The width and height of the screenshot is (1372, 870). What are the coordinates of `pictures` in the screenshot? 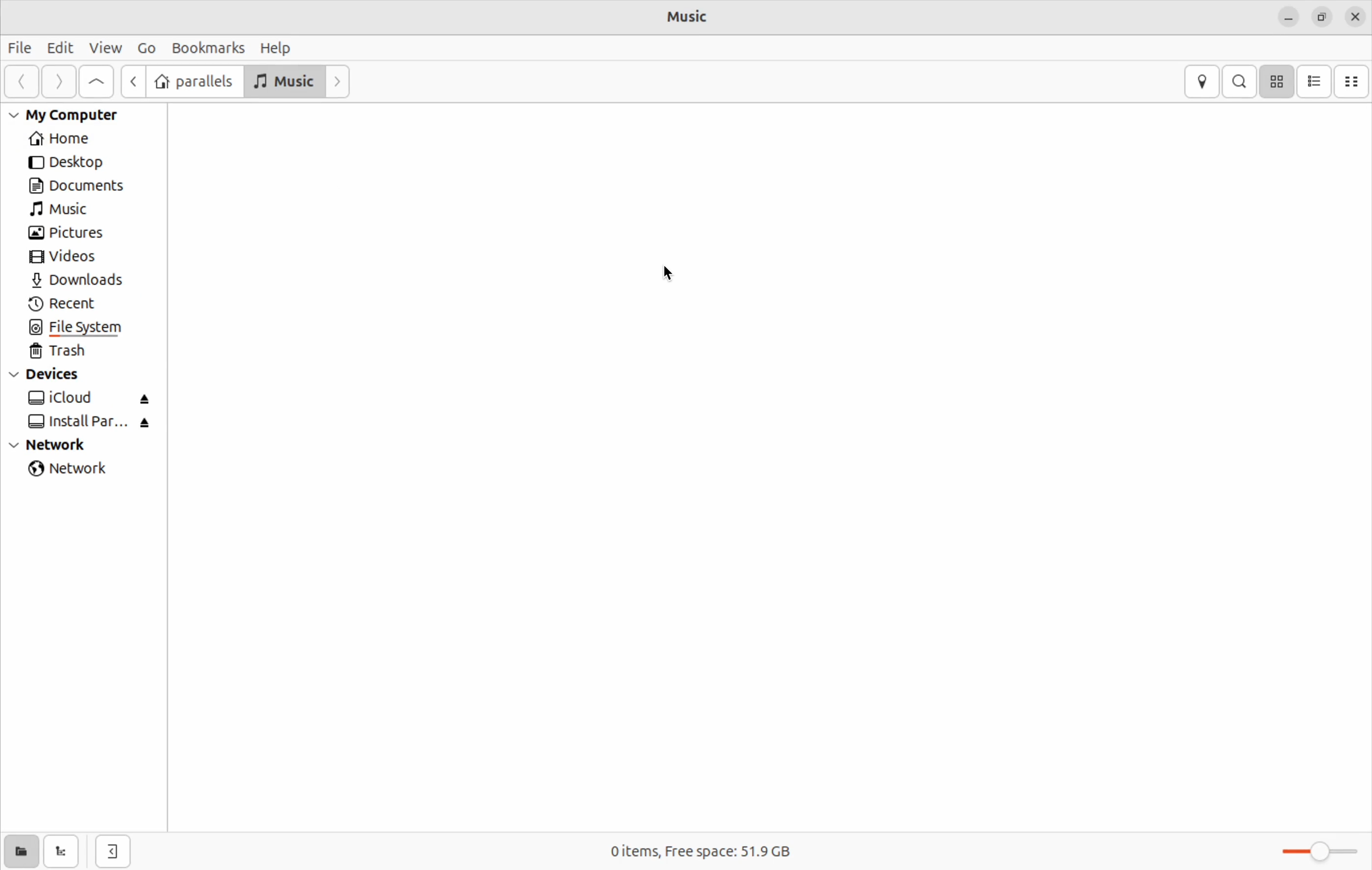 It's located at (69, 233).